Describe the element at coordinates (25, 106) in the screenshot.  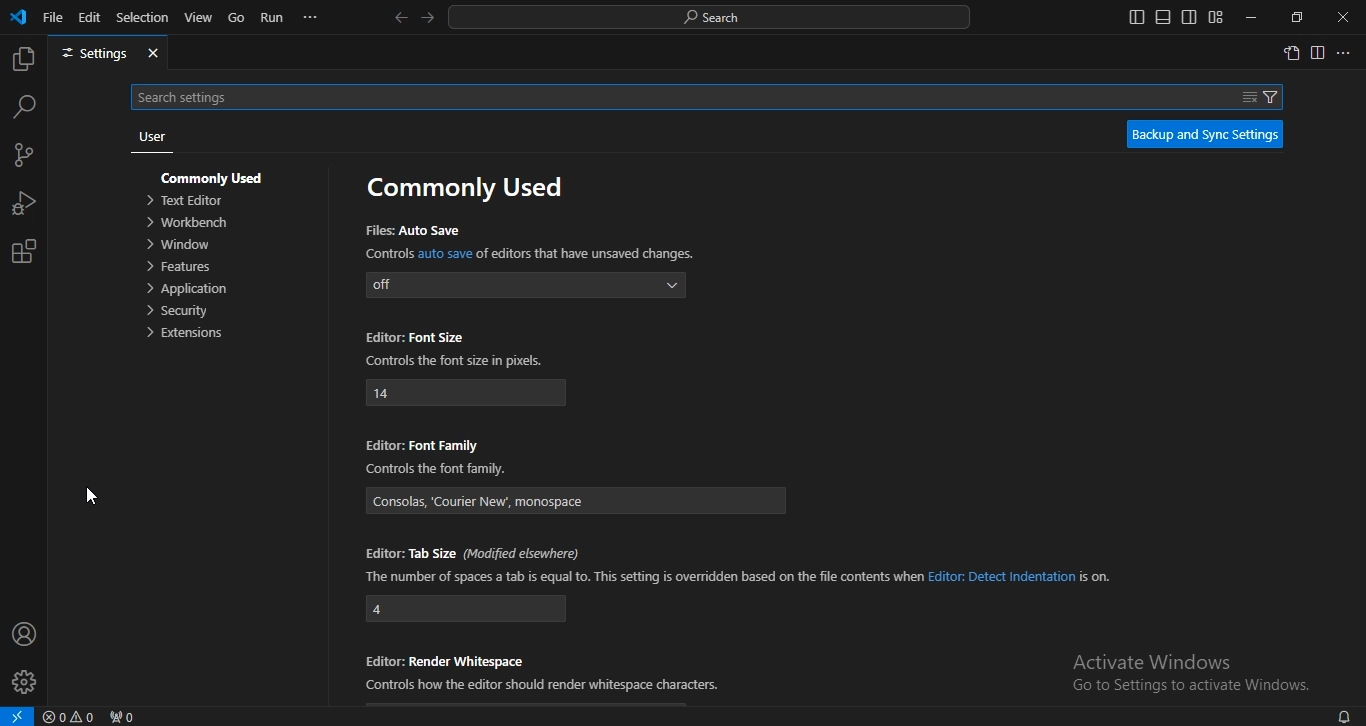
I see `search` at that location.